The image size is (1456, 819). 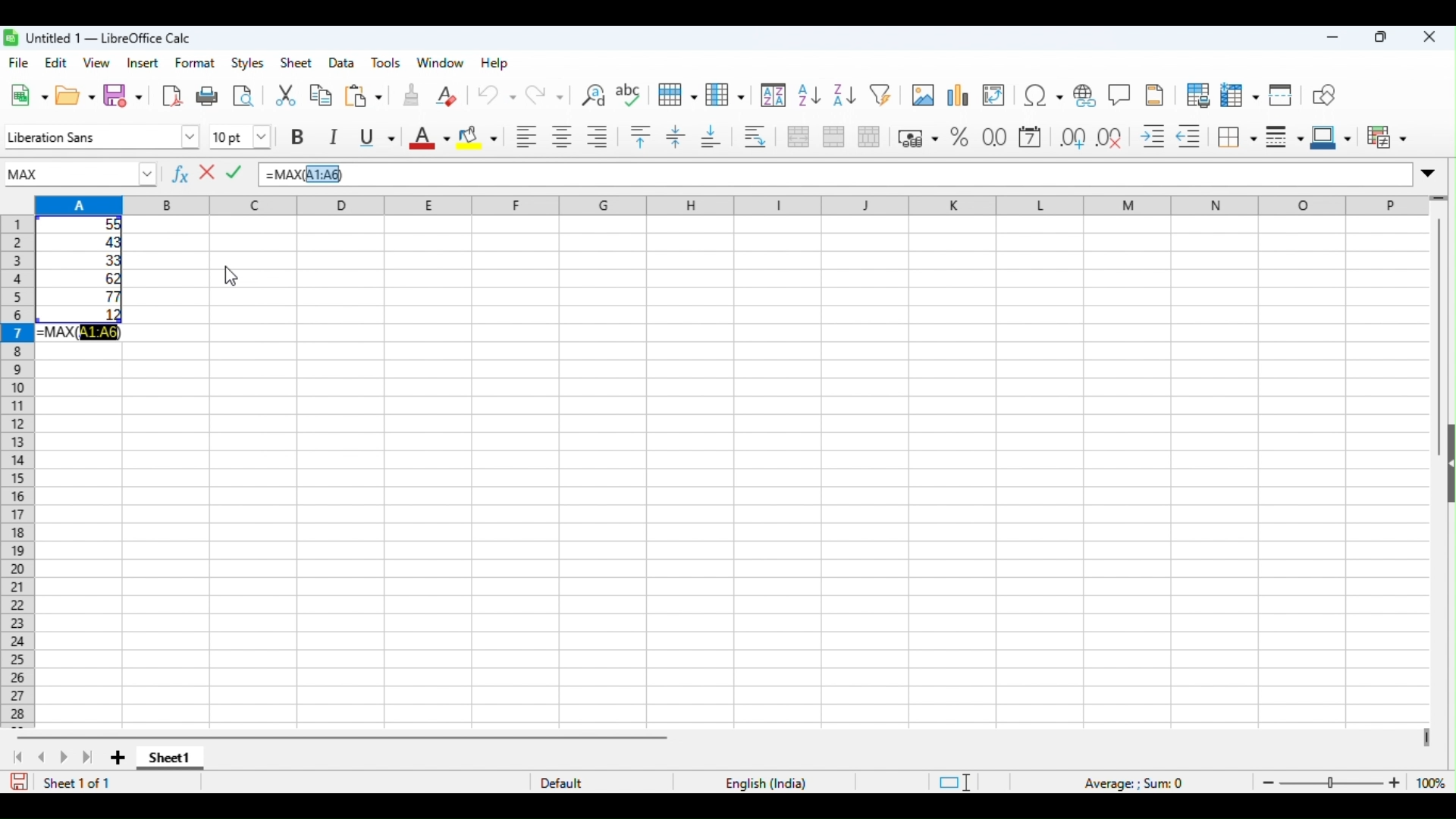 I want to click on add decimal place, so click(x=1070, y=137).